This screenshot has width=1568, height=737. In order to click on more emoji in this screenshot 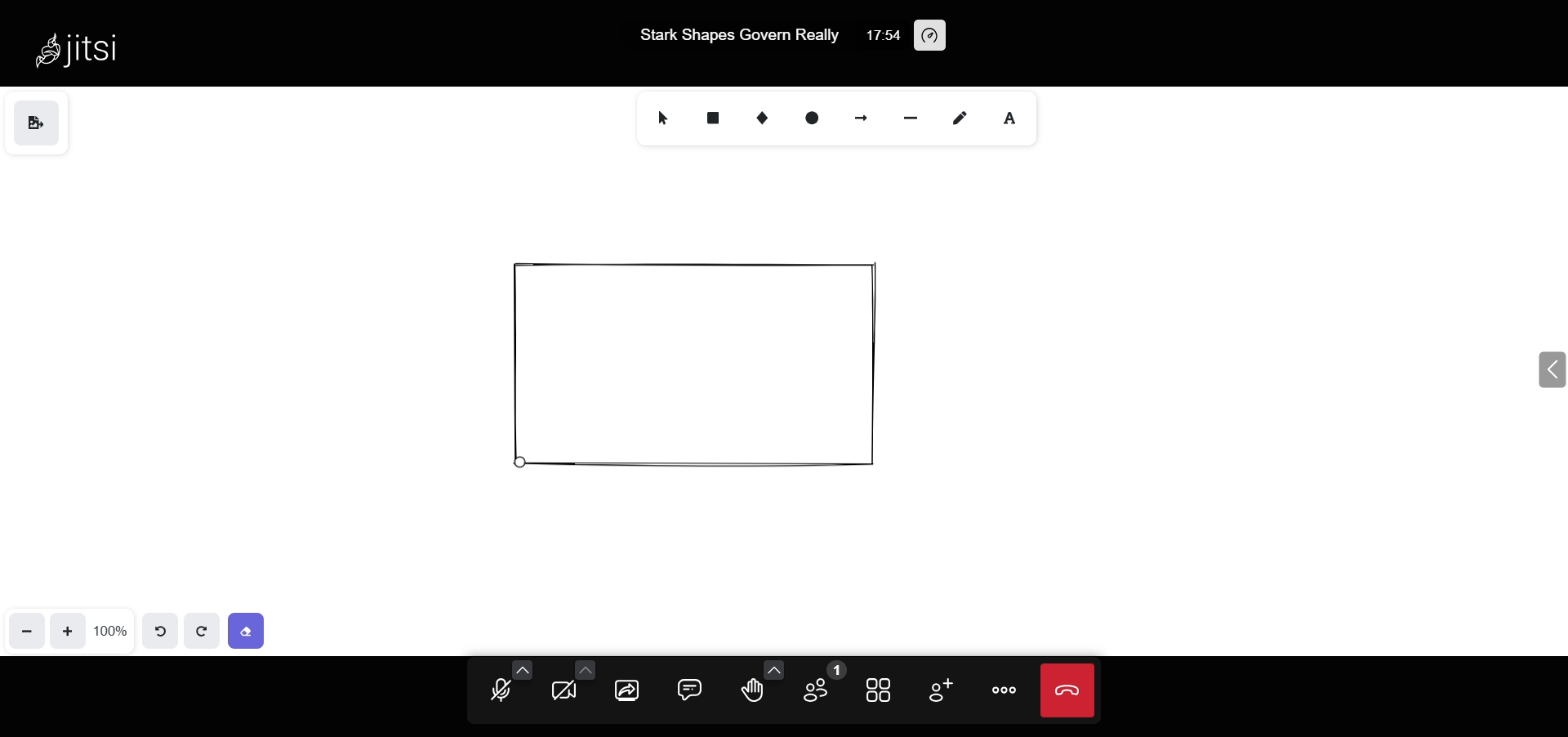, I will do `click(773, 669)`.